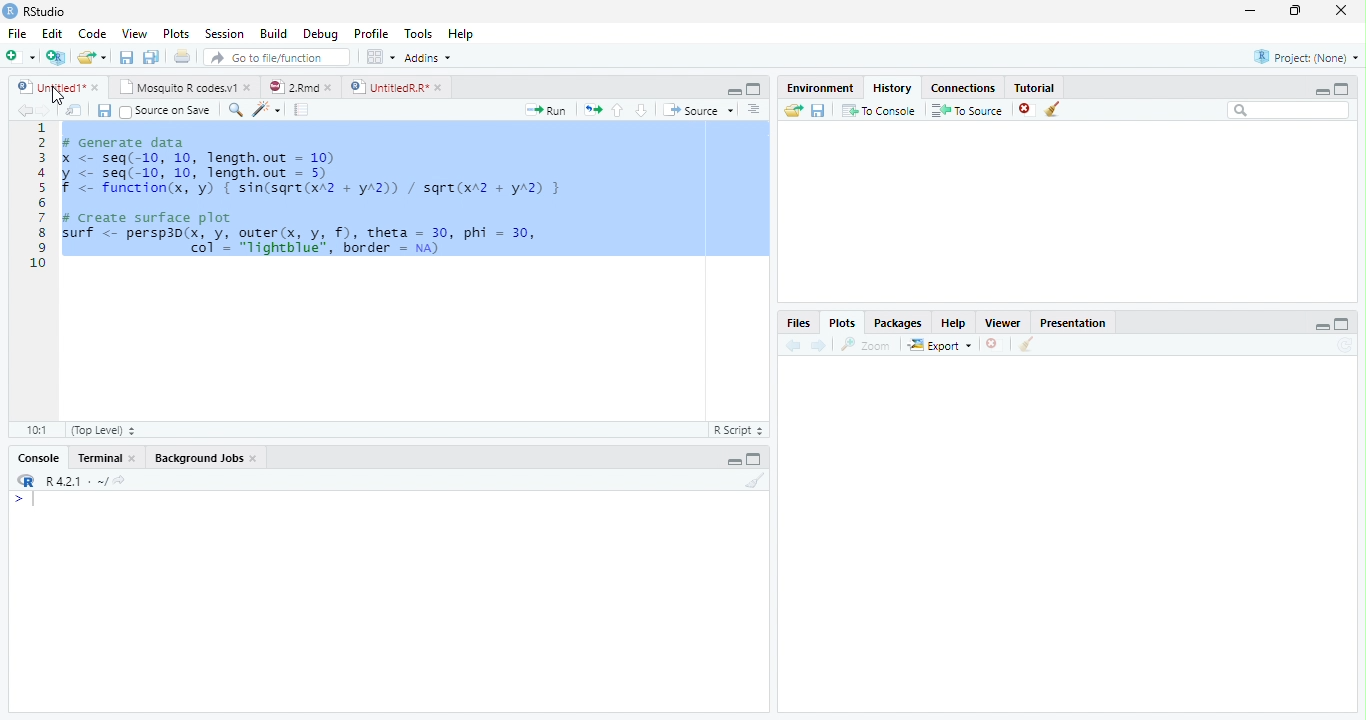 The image size is (1366, 720). Describe the element at coordinates (818, 110) in the screenshot. I see `Save history into a file` at that location.